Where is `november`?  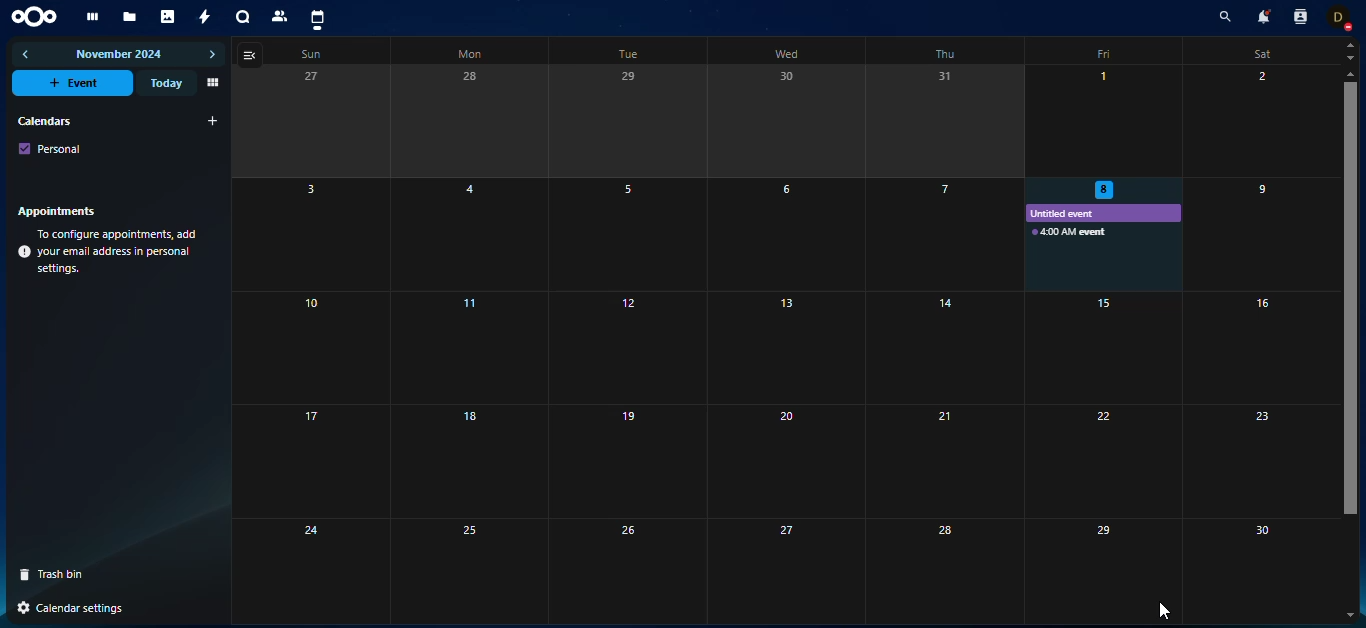 november is located at coordinates (120, 56).